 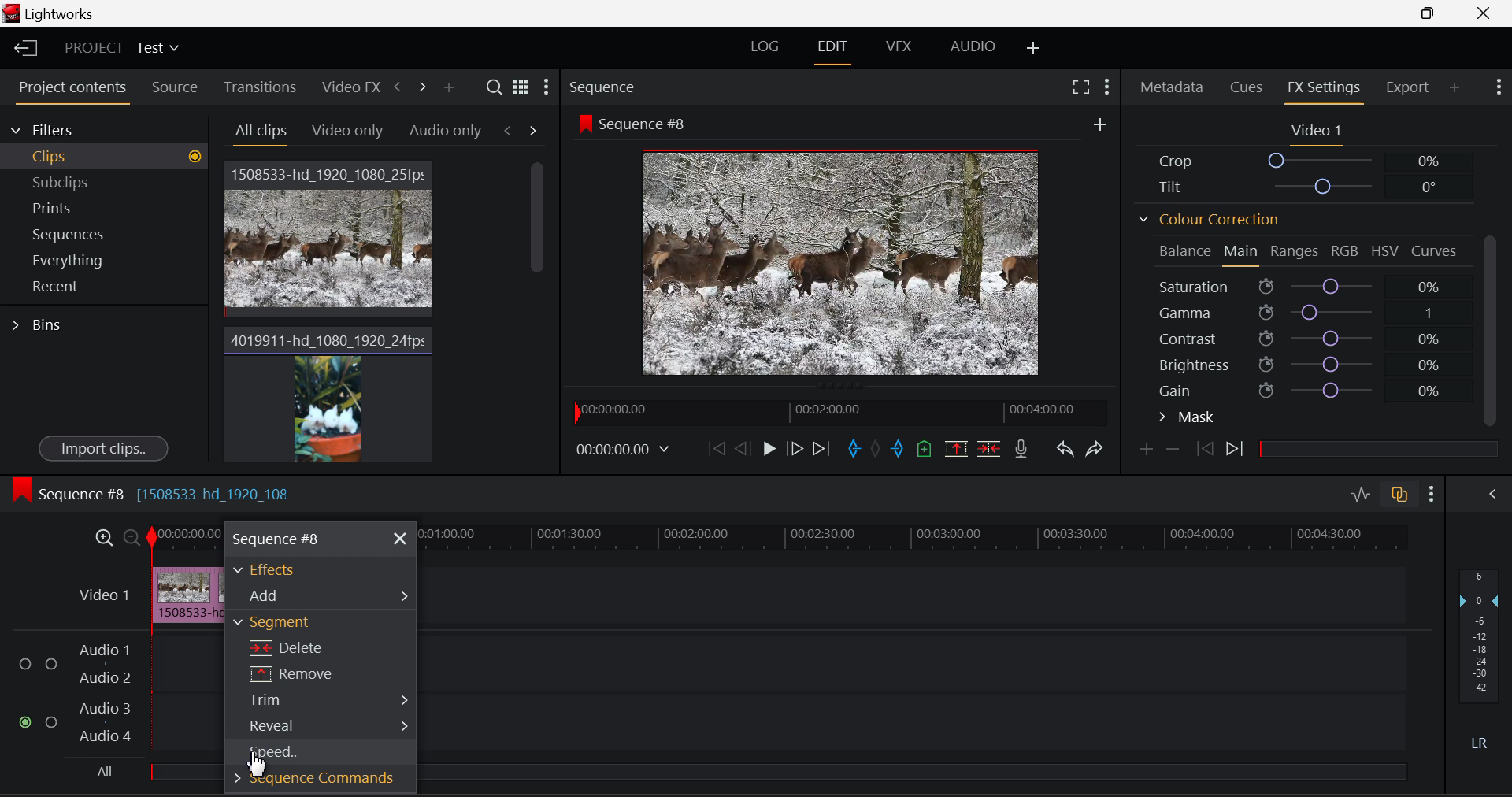 What do you see at coordinates (523, 87) in the screenshot?
I see `Toggle between list and title view` at bounding box center [523, 87].